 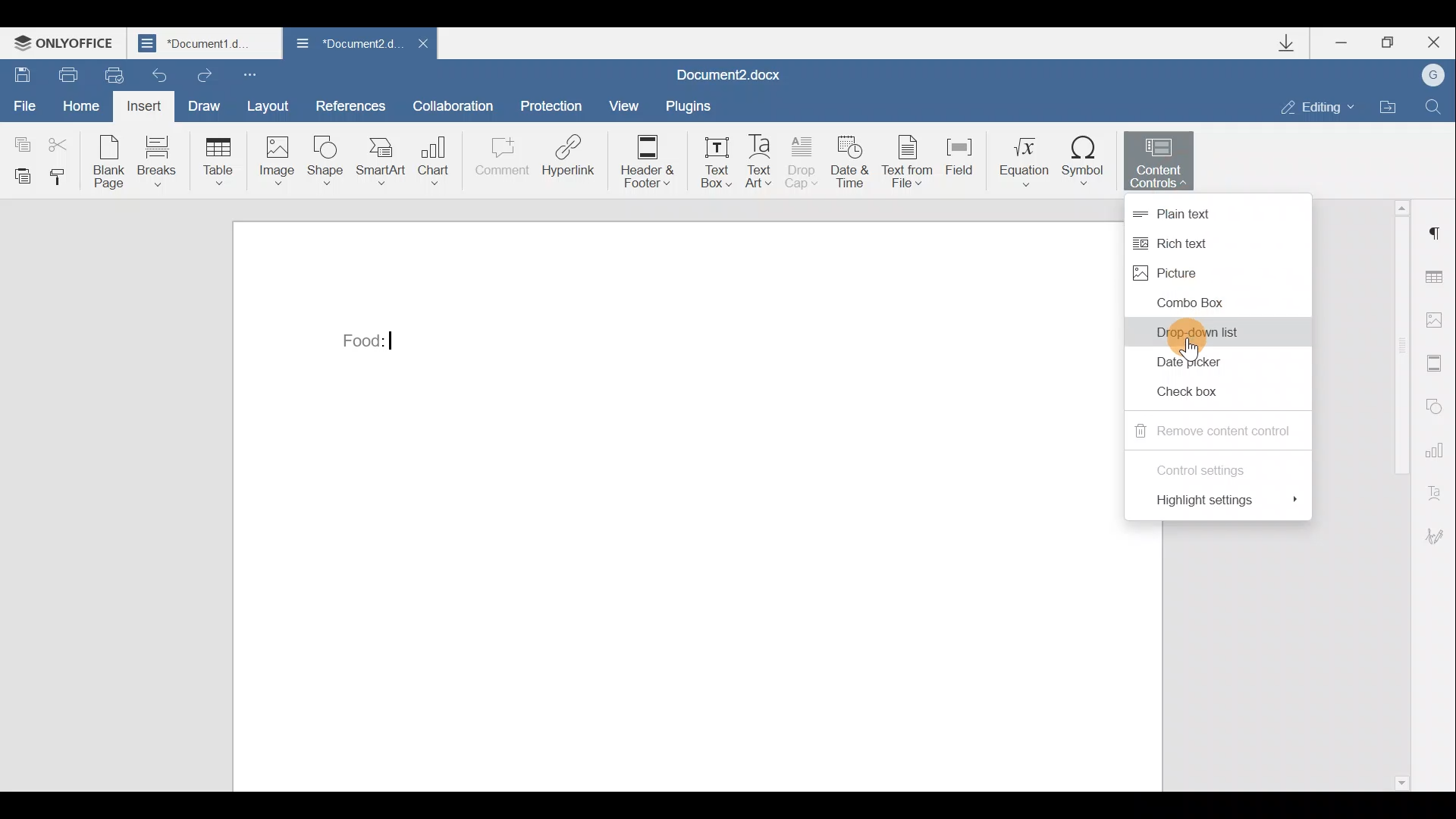 I want to click on Undo, so click(x=161, y=71).